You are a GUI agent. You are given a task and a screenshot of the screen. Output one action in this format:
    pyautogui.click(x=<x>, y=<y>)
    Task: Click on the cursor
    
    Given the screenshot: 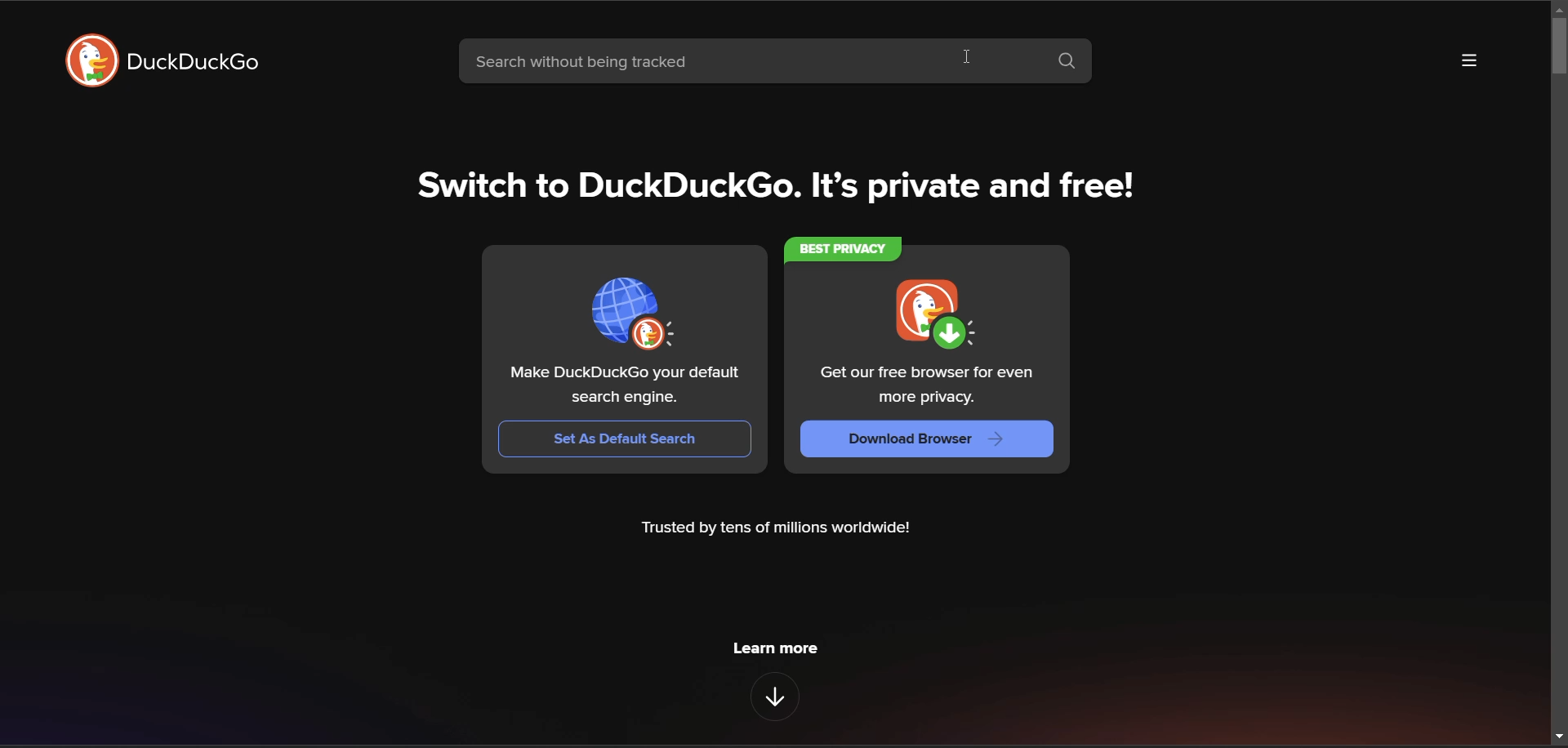 What is the action you would take?
    pyautogui.click(x=965, y=57)
    